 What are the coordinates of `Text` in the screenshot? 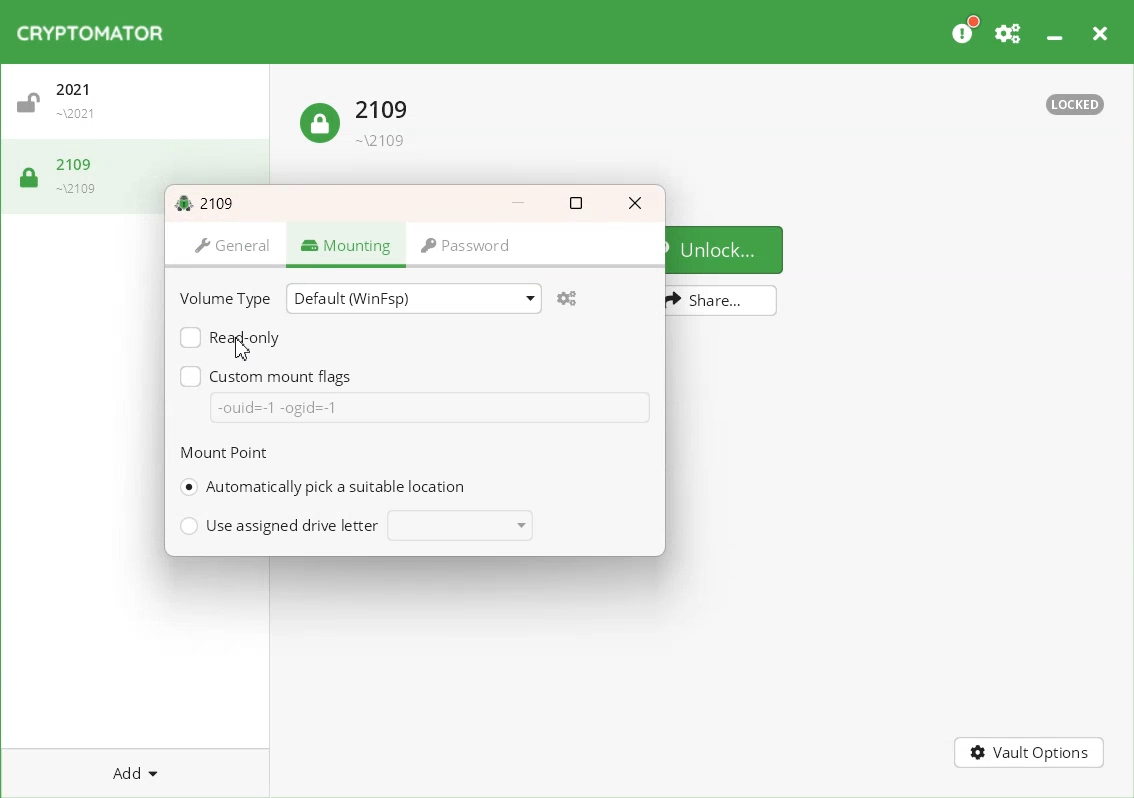 It's located at (209, 201).